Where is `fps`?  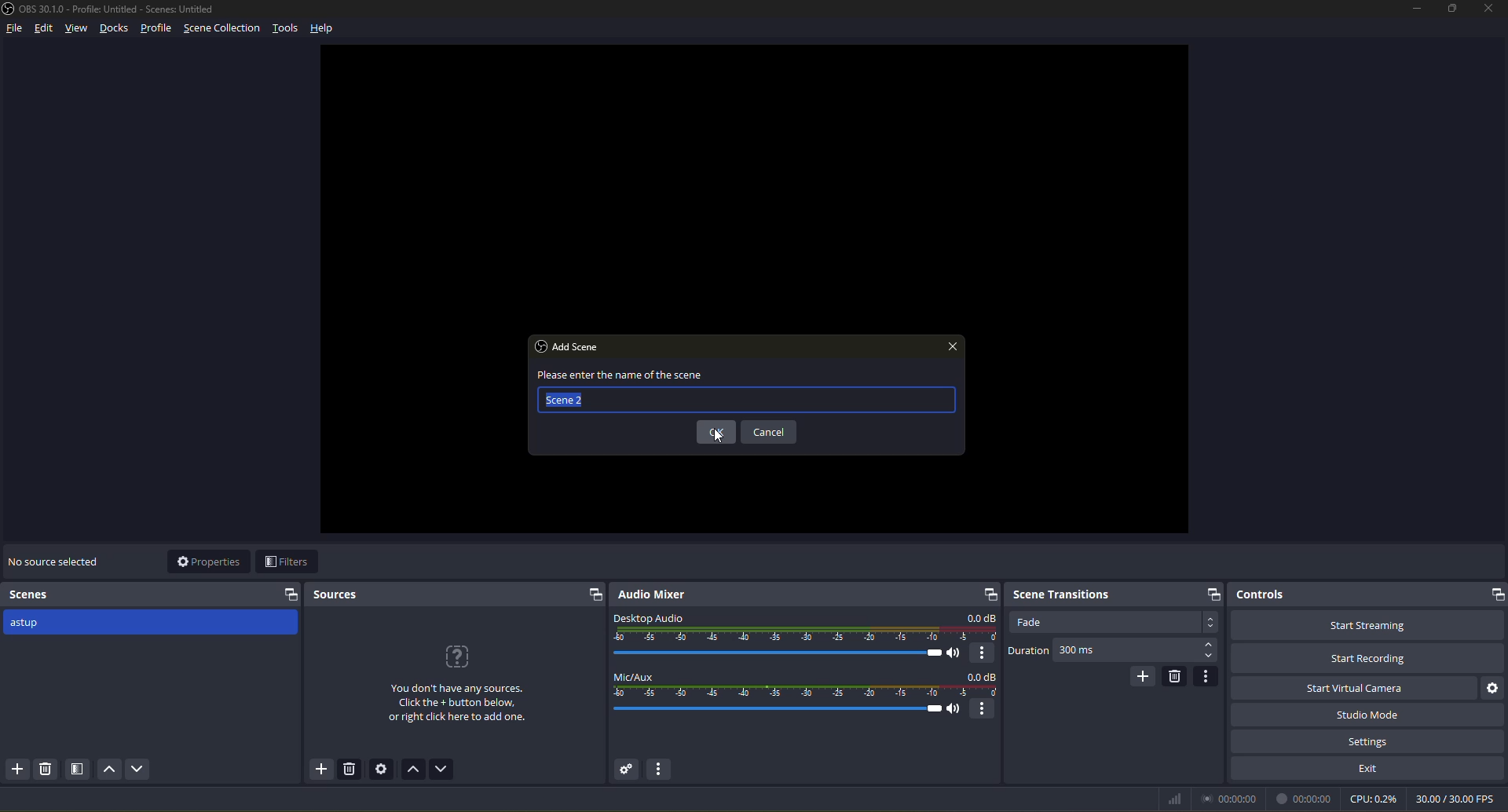
fps is located at coordinates (1459, 796).